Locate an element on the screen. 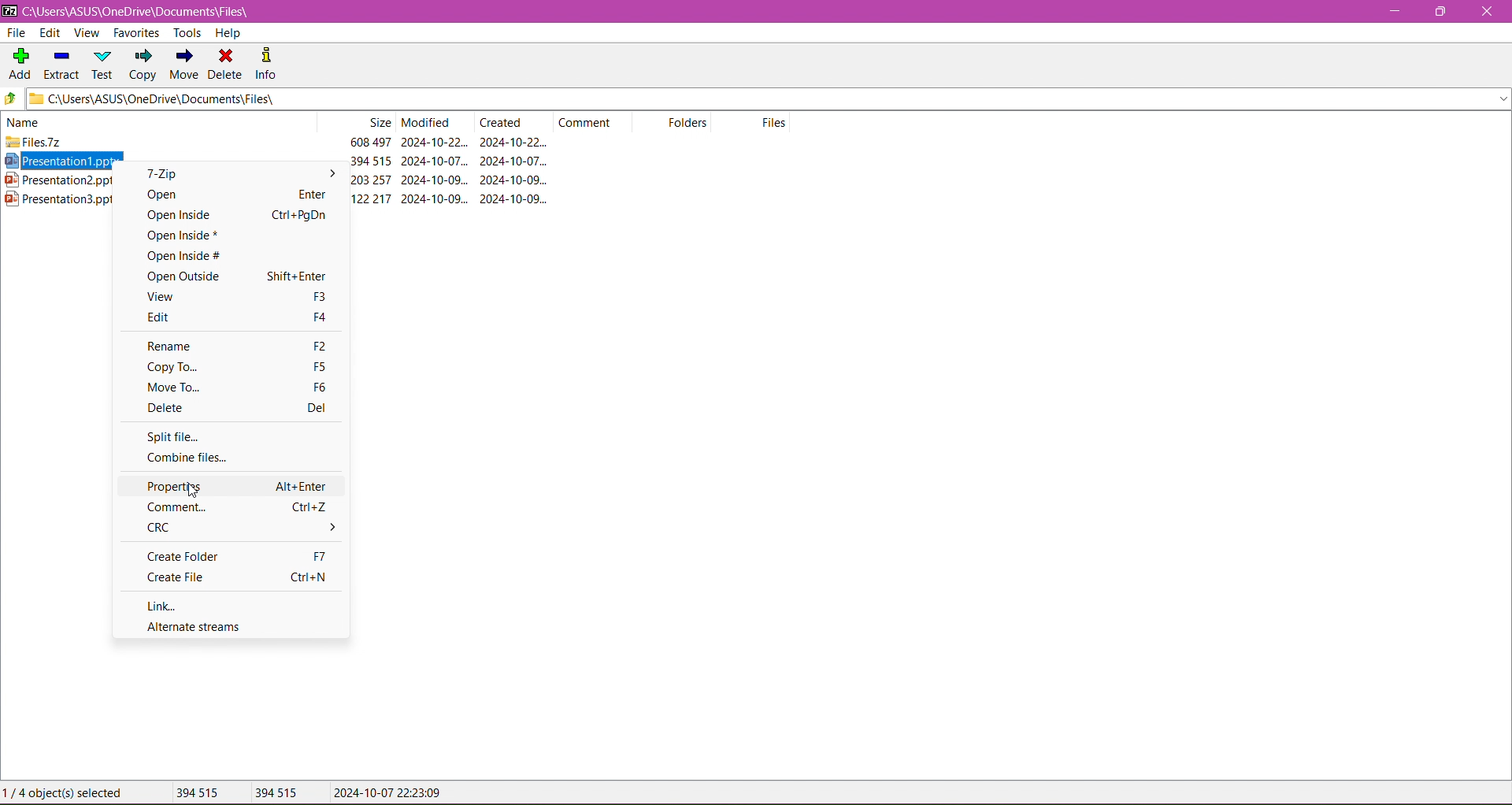 The image size is (1512, 805). Delete is located at coordinates (227, 65).